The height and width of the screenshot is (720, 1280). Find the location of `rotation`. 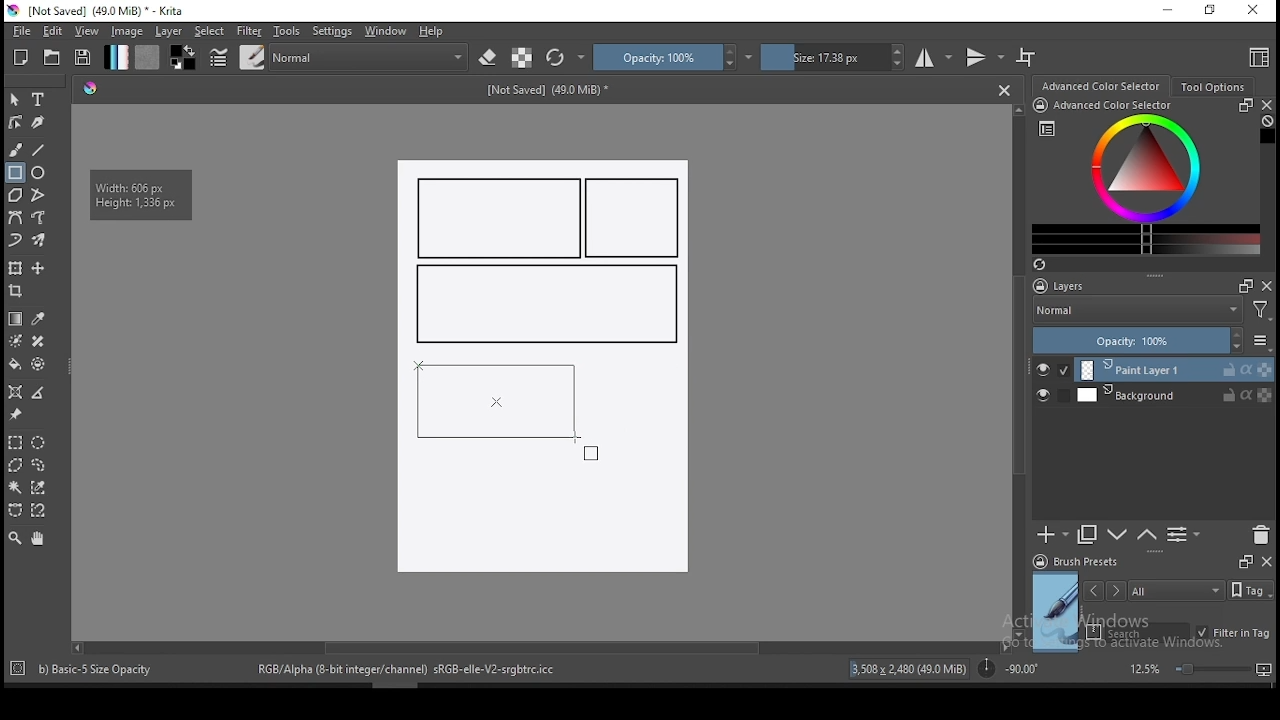

rotation is located at coordinates (1008, 667).